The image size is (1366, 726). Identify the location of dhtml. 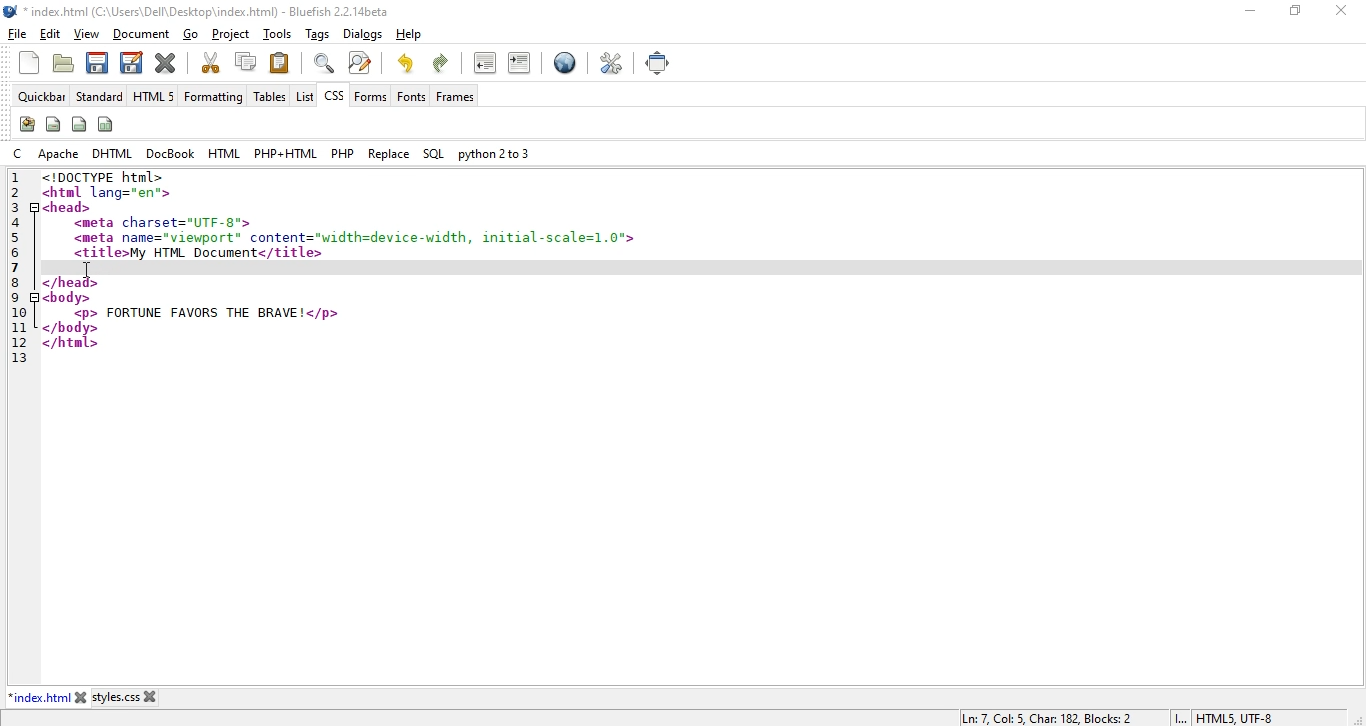
(114, 154).